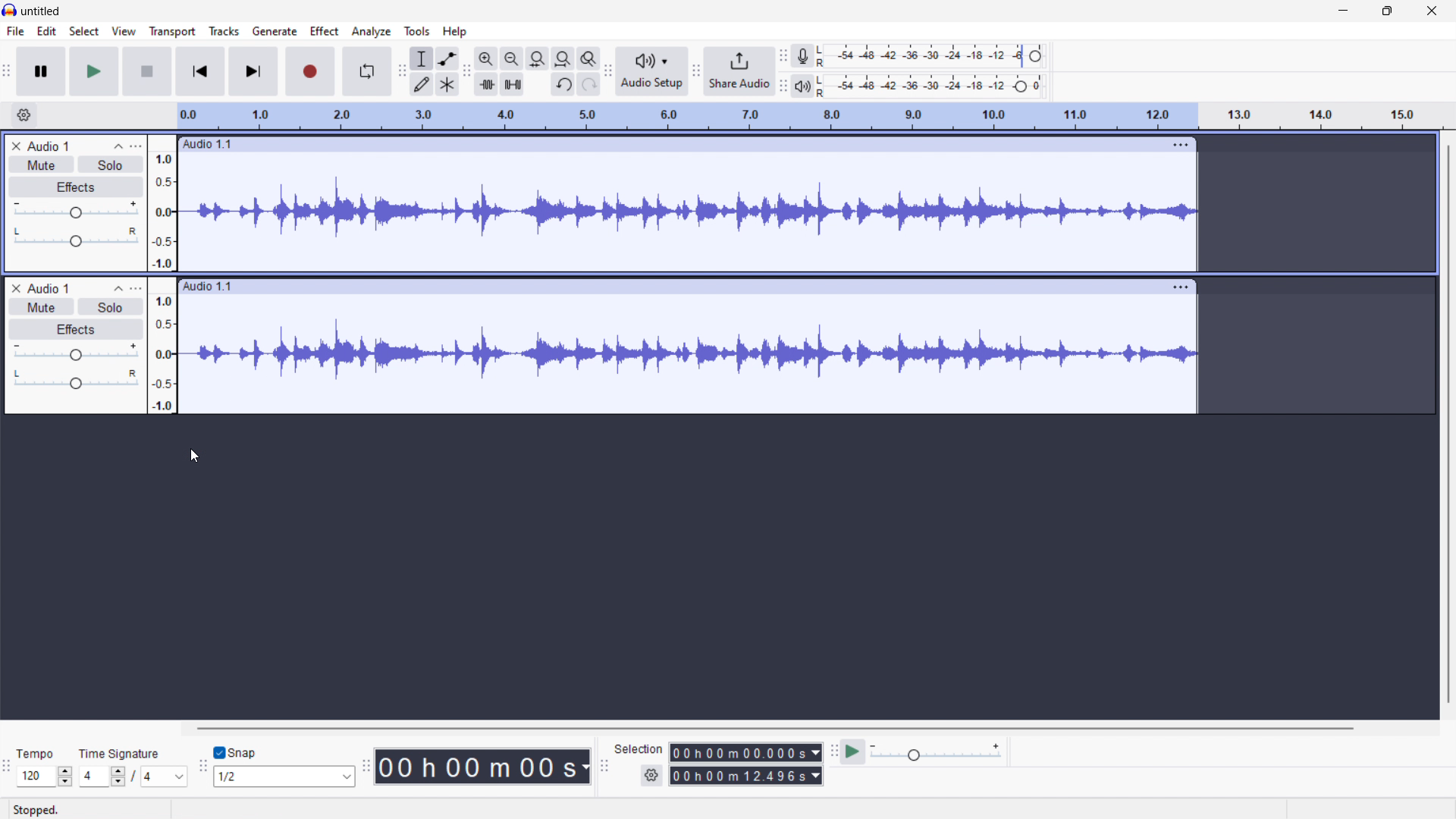 This screenshot has width=1456, height=819. Describe the element at coordinates (448, 84) in the screenshot. I see `multi tool` at that location.